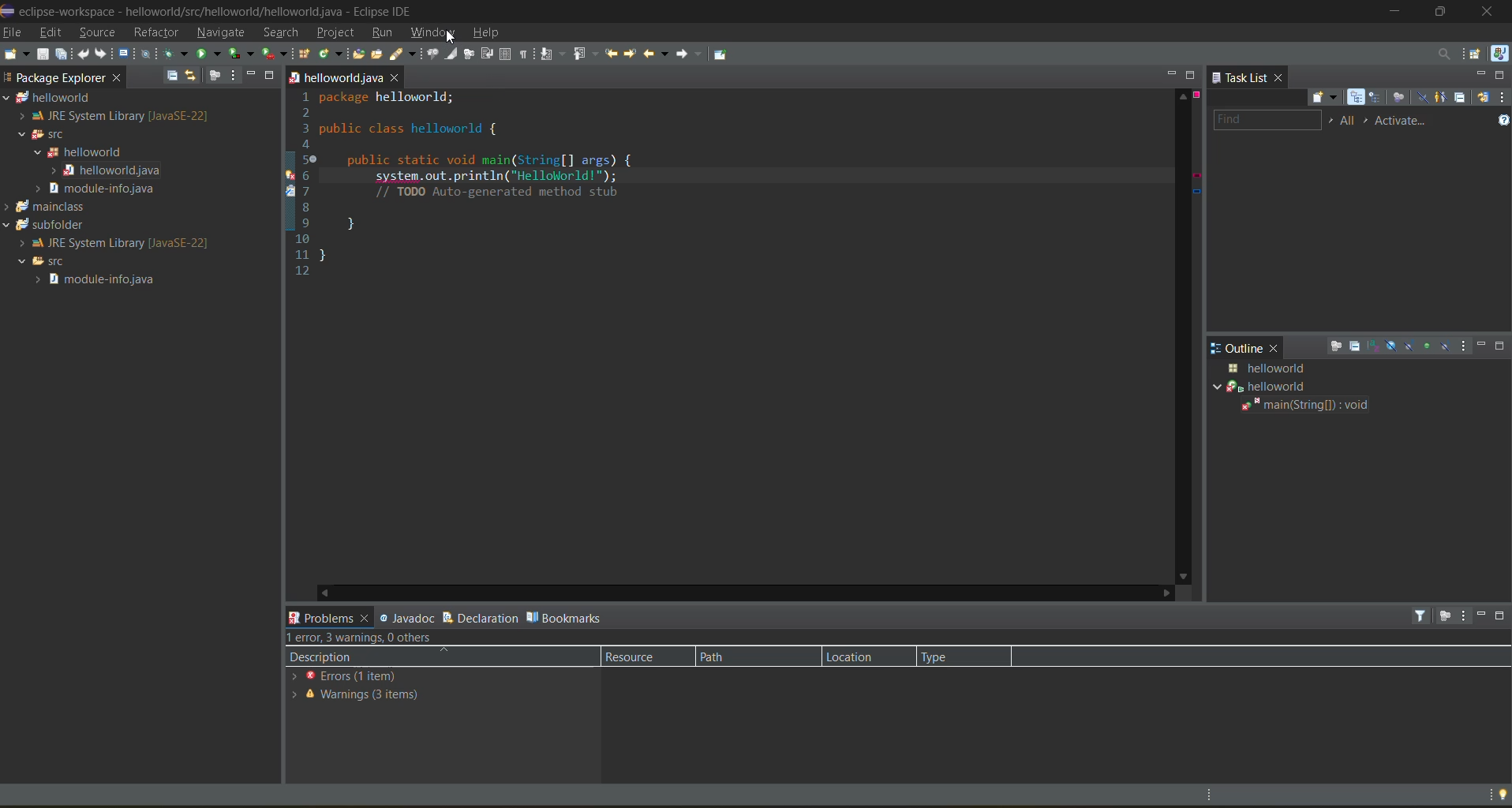 This screenshot has width=1512, height=808. What do you see at coordinates (1240, 348) in the screenshot?
I see `outline` at bounding box center [1240, 348].